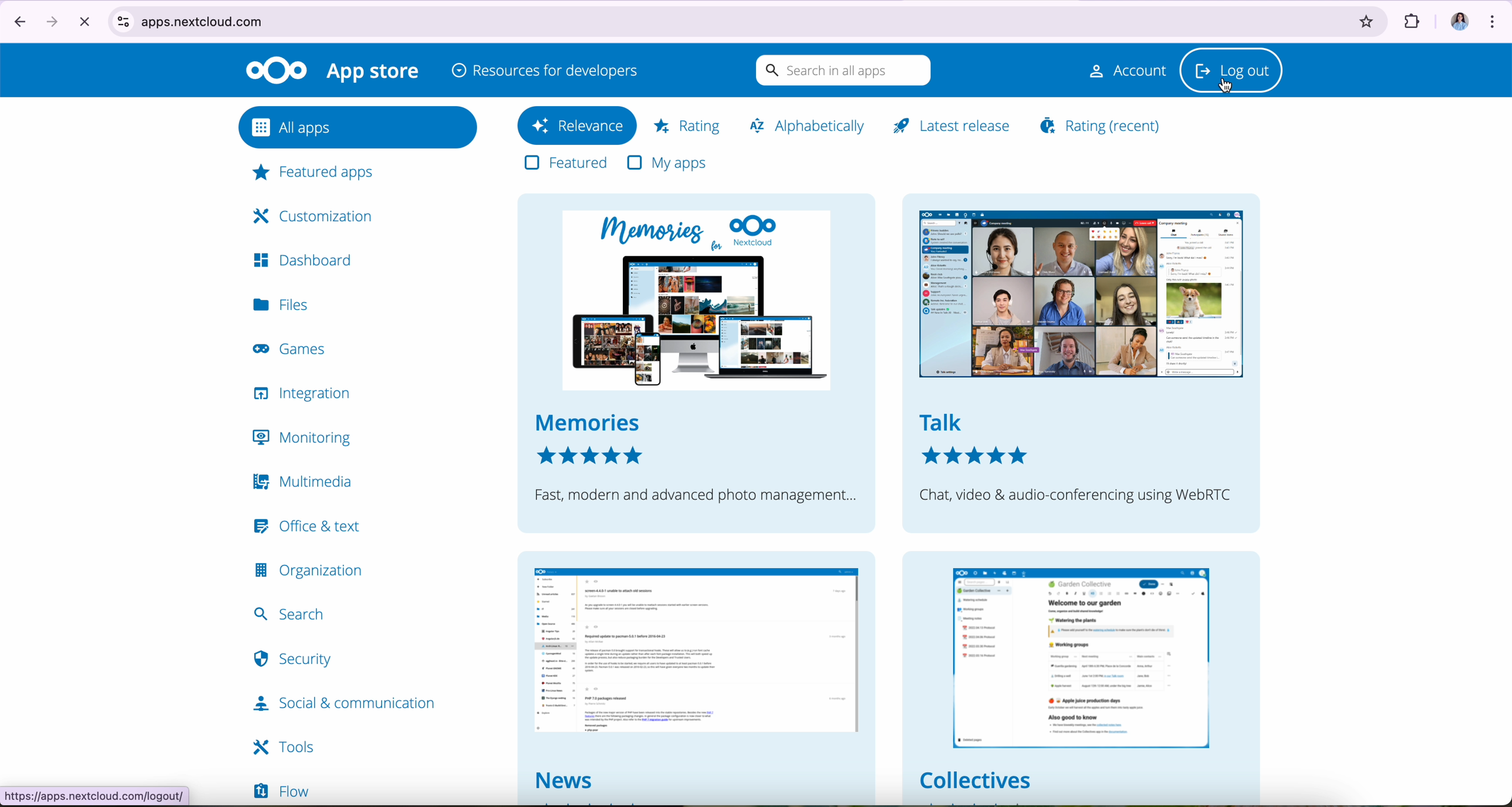 Image resolution: width=1512 pixels, height=807 pixels. What do you see at coordinates (1118, 70) in the screenshot?
I see `account` at bounding box center [1118, 70].